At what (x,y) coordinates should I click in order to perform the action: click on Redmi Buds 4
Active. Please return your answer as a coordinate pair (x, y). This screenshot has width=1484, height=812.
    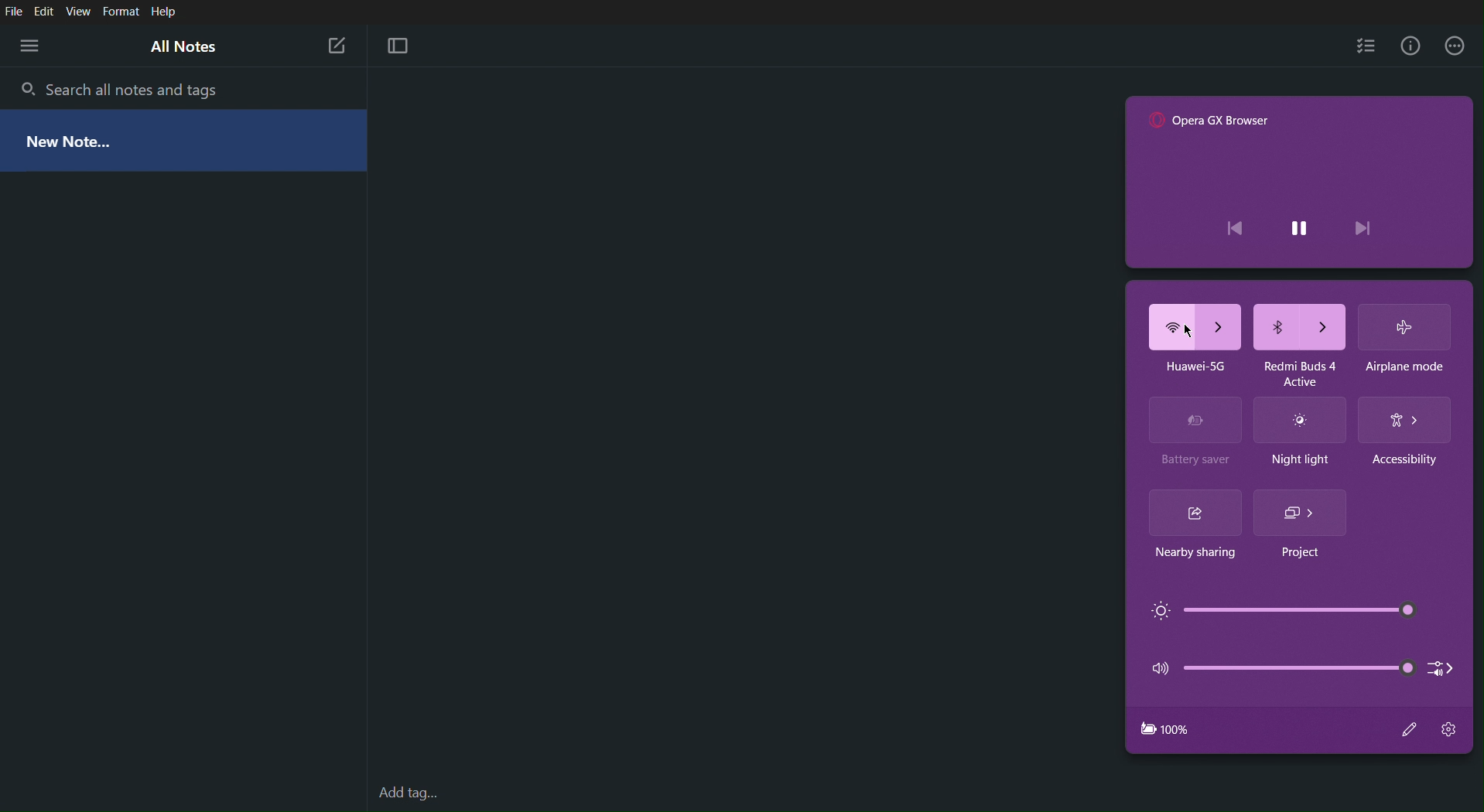
    Looking at the image, I should click on (1299, 368).